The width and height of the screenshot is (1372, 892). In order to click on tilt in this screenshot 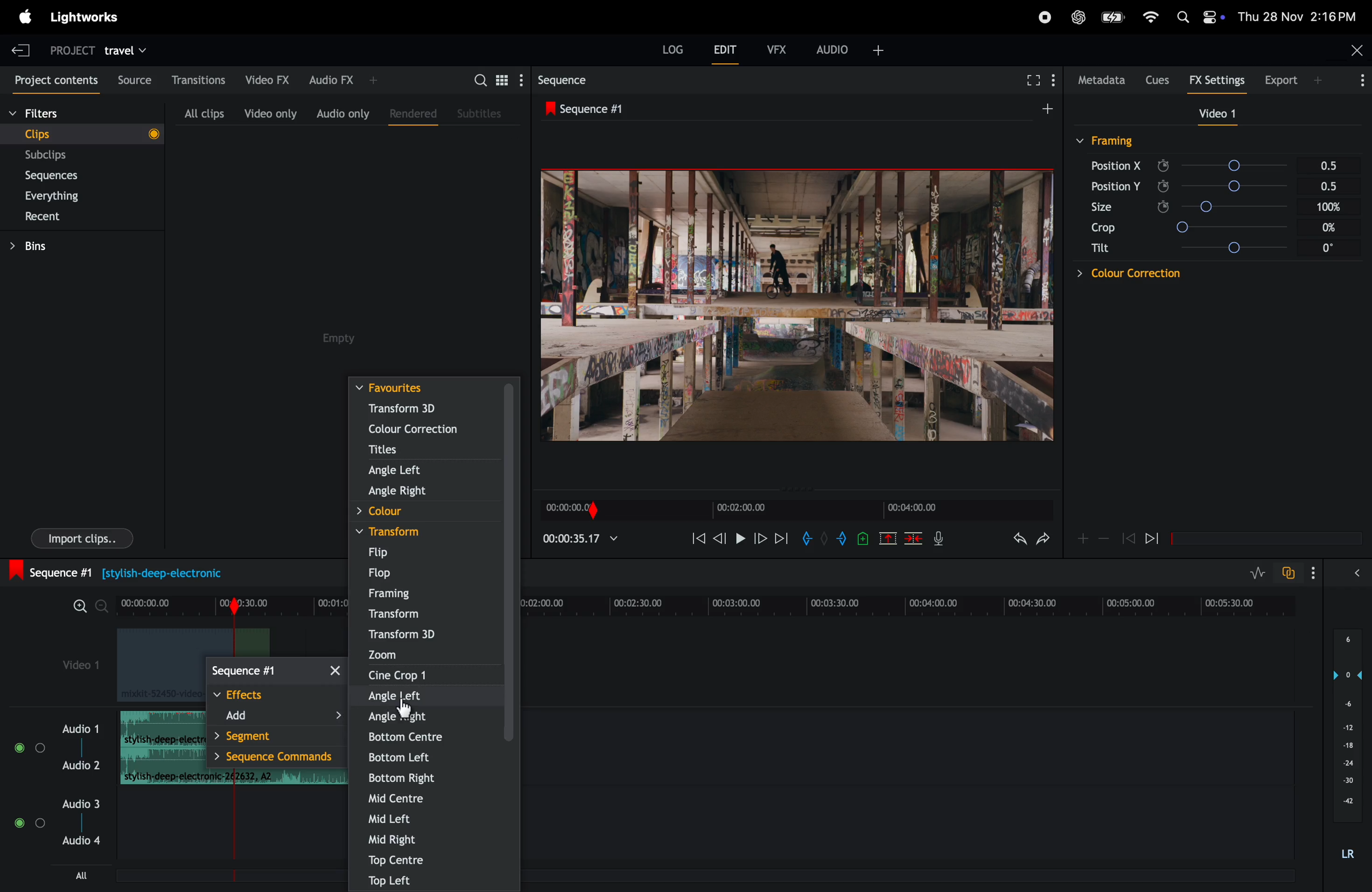, I will do `click(1101, 251)`.